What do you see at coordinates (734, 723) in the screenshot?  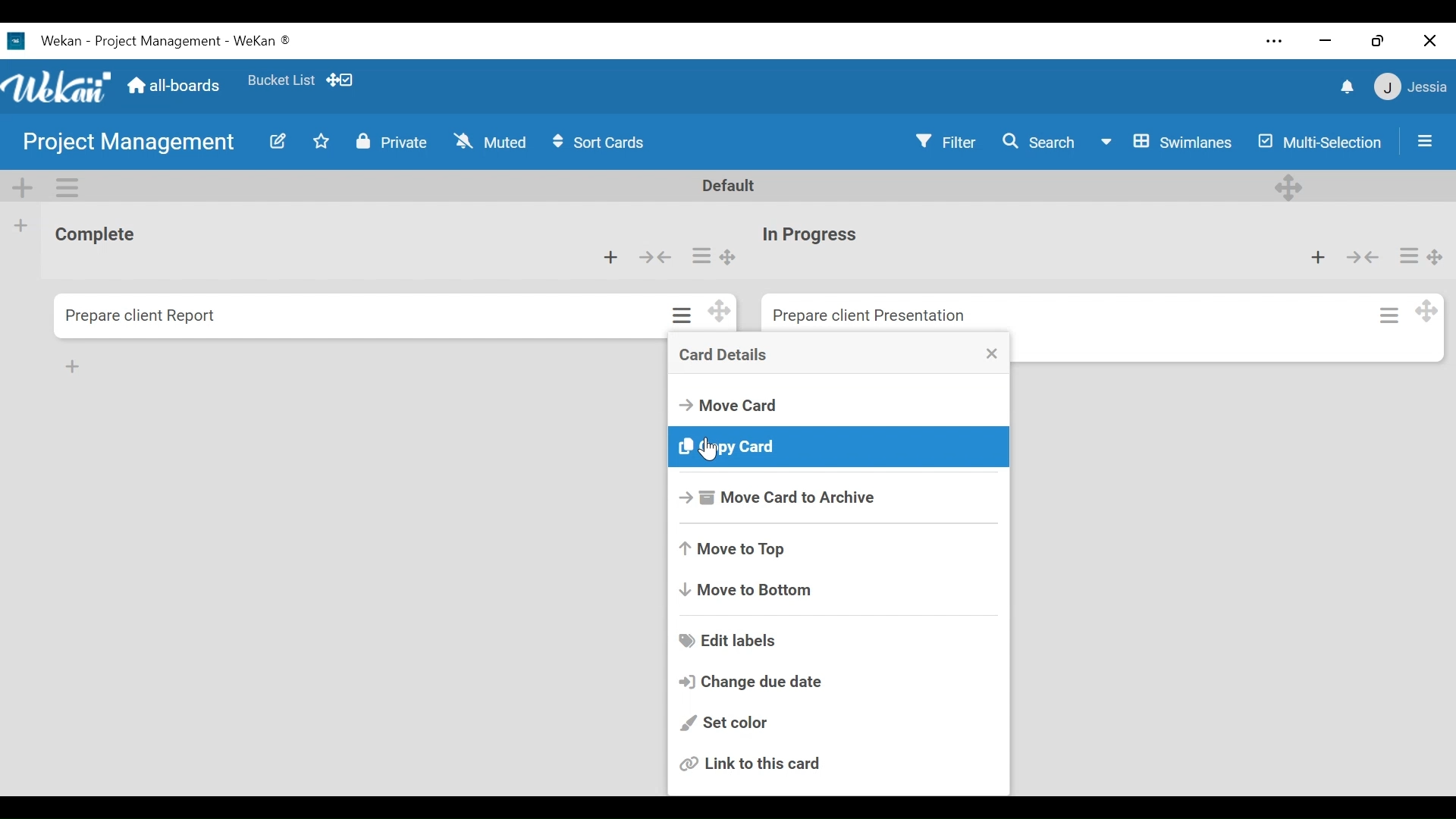 I see `Set color` at bounding box center [734, 723].